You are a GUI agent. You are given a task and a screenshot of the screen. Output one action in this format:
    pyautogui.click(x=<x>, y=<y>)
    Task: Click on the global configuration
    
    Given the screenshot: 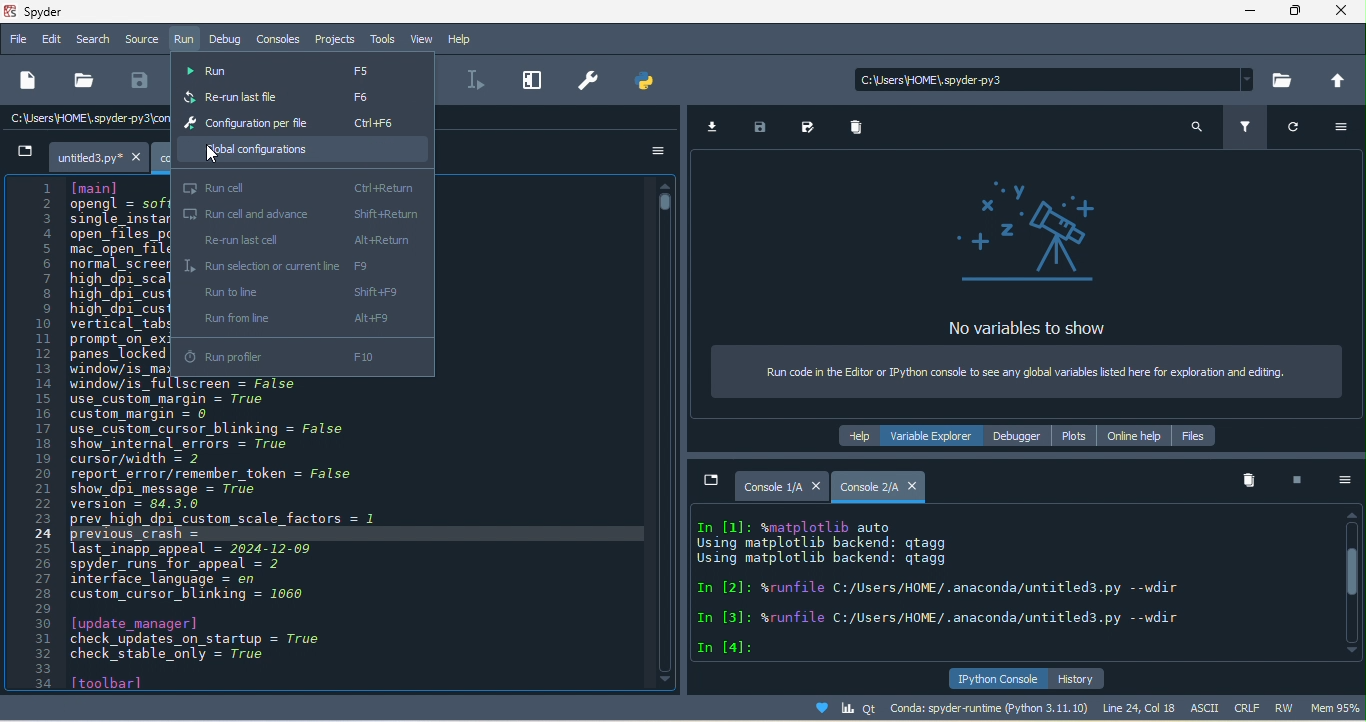 What is the action you would take?
    pyautogui.click(x=302, y=151)
    